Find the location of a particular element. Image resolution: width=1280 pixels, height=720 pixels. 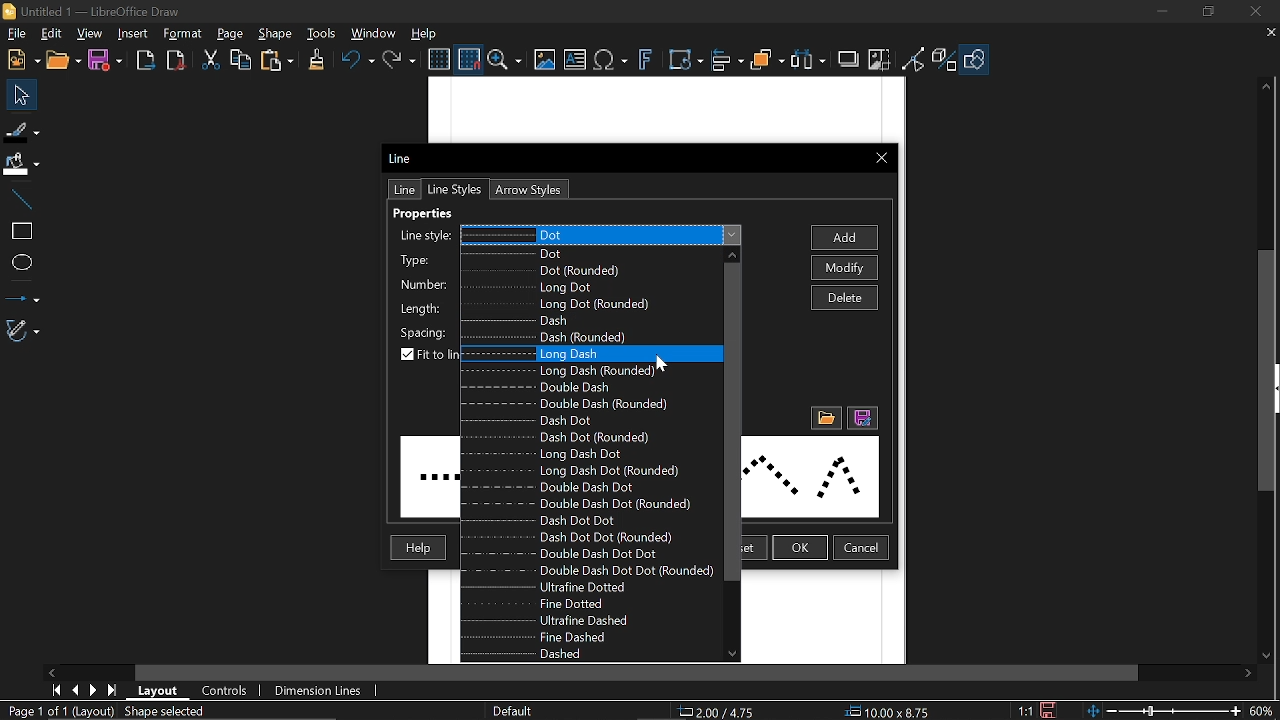

Long dot (Rounded) is located at coordinates (586, 306).